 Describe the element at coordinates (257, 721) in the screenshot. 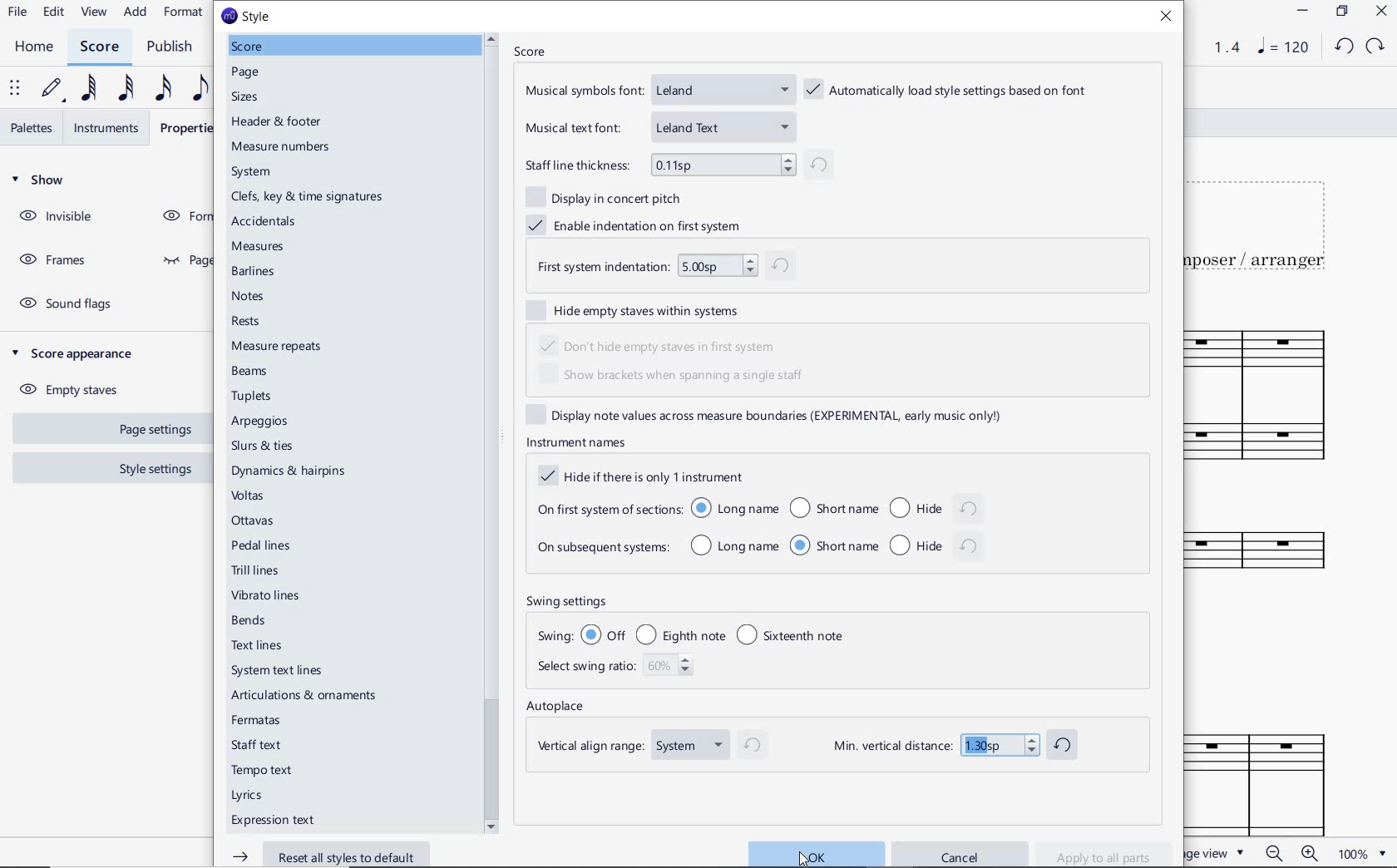

I see `fermatas` at that location.